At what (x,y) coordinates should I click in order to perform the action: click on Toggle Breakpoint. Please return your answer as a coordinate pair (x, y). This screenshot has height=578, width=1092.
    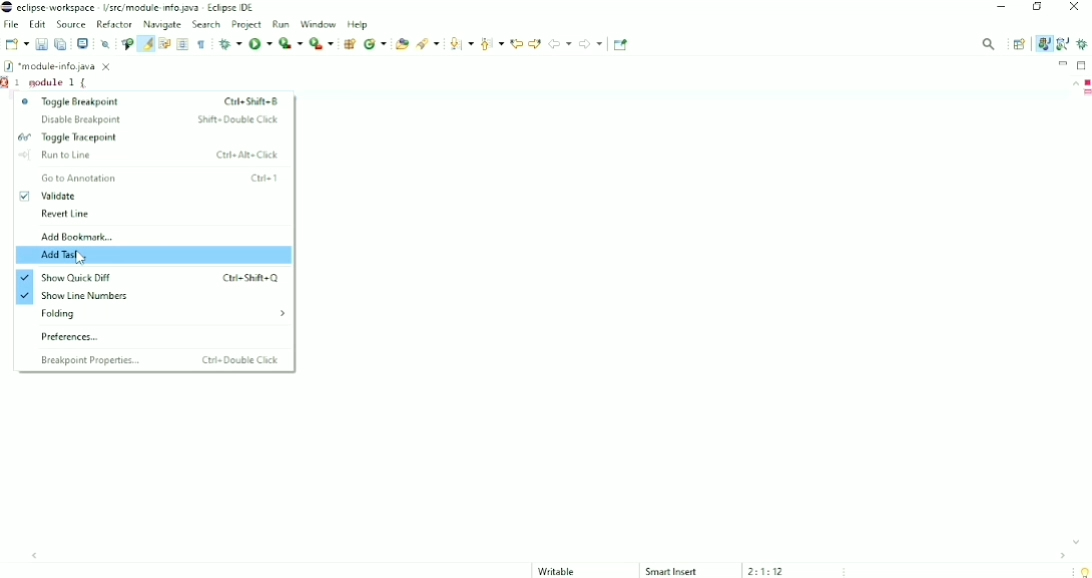
    Looking at the image, I should click on (150, 100).